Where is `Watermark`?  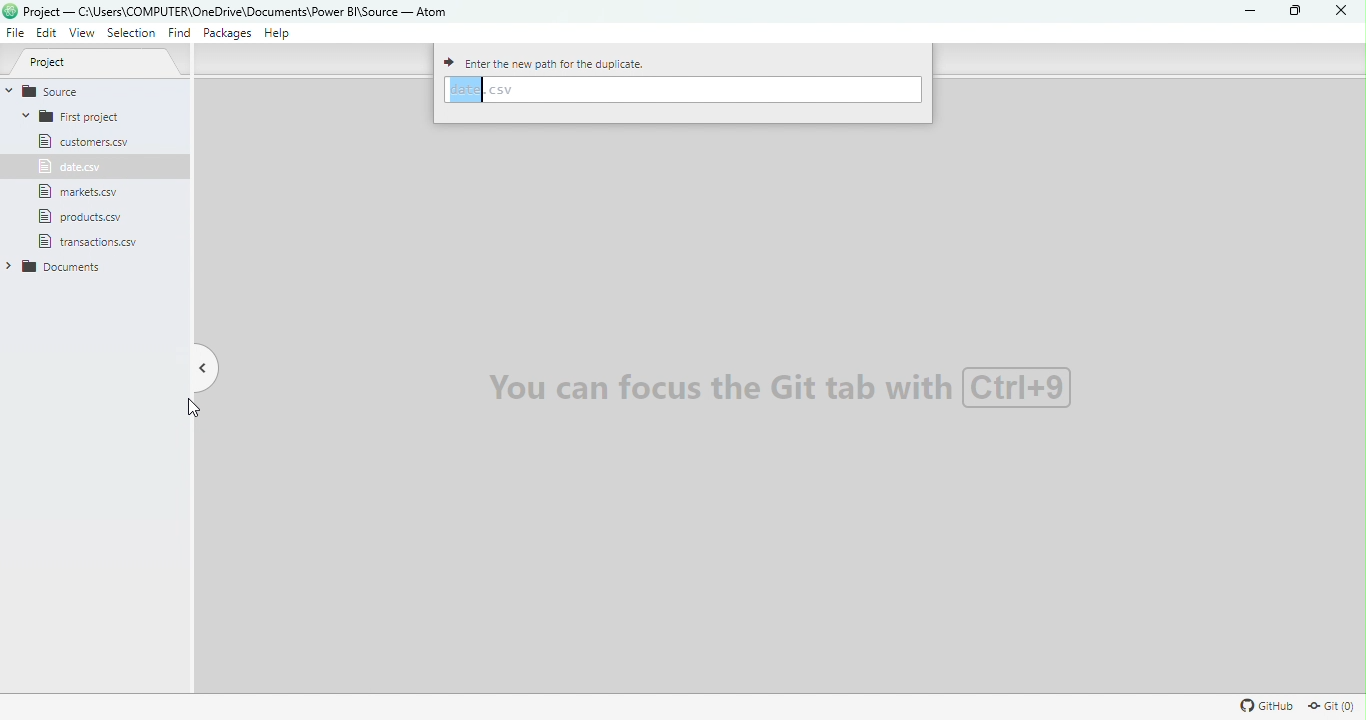 Watermark is located at coordinates (781, 384).